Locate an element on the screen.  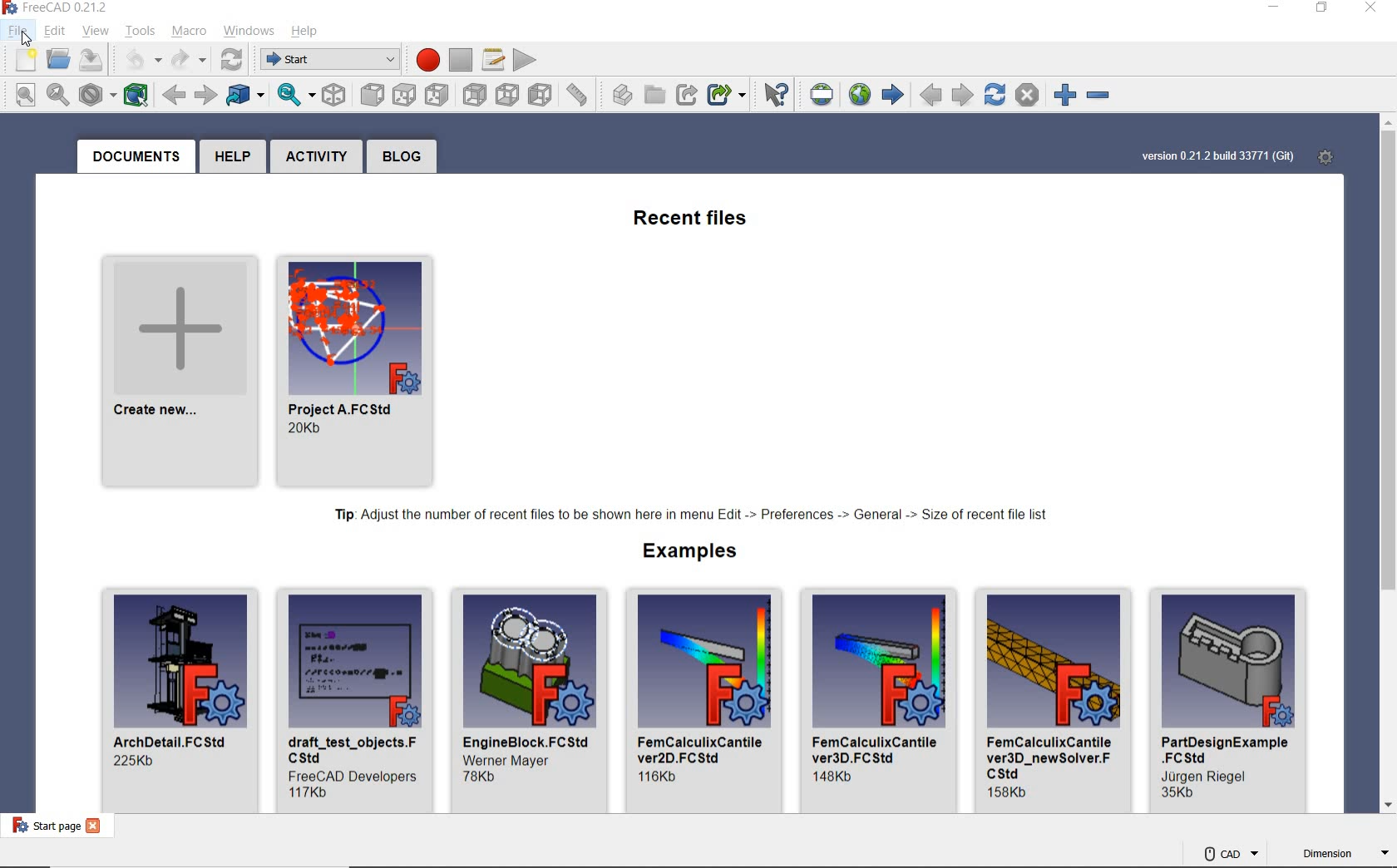
close is located at coordinates (95, 826).